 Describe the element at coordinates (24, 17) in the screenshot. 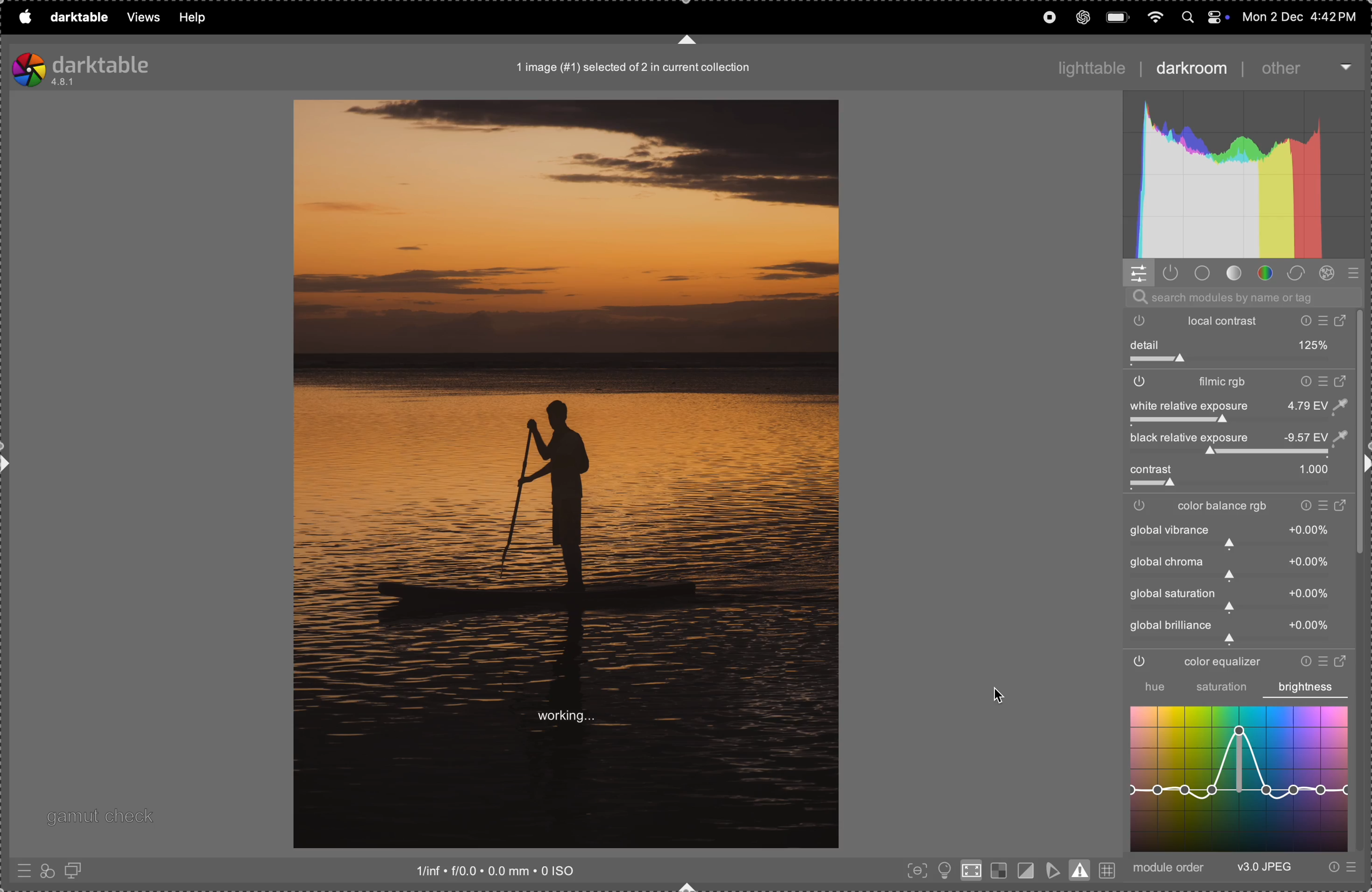

I see `apple menu` at that location.